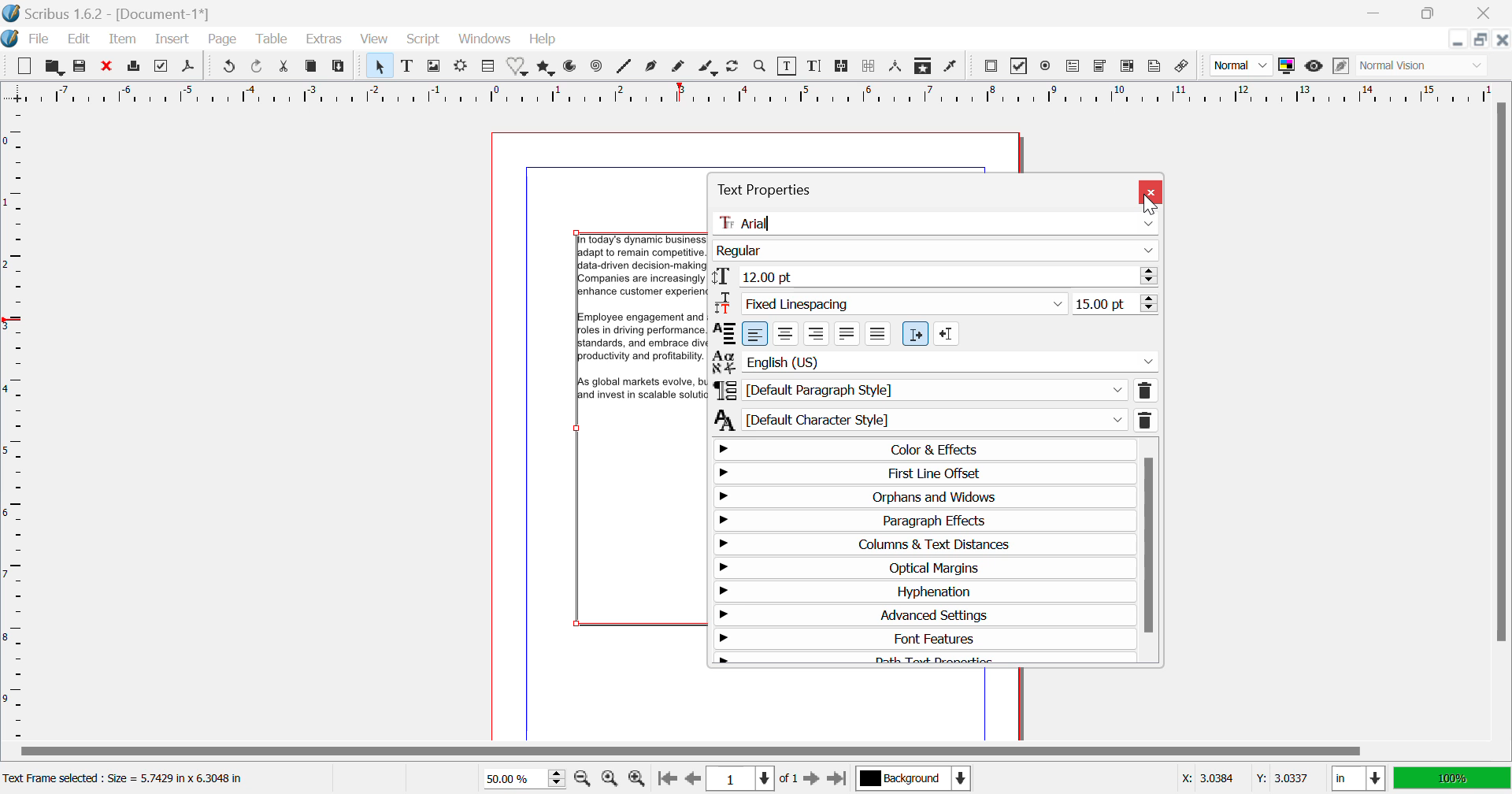 The height and width of the screenshot is (794, 1512). What do you see at coordinates (9, 39) in the screenshot?
I see `Scribus Logo` at bounding box center [9, 39].